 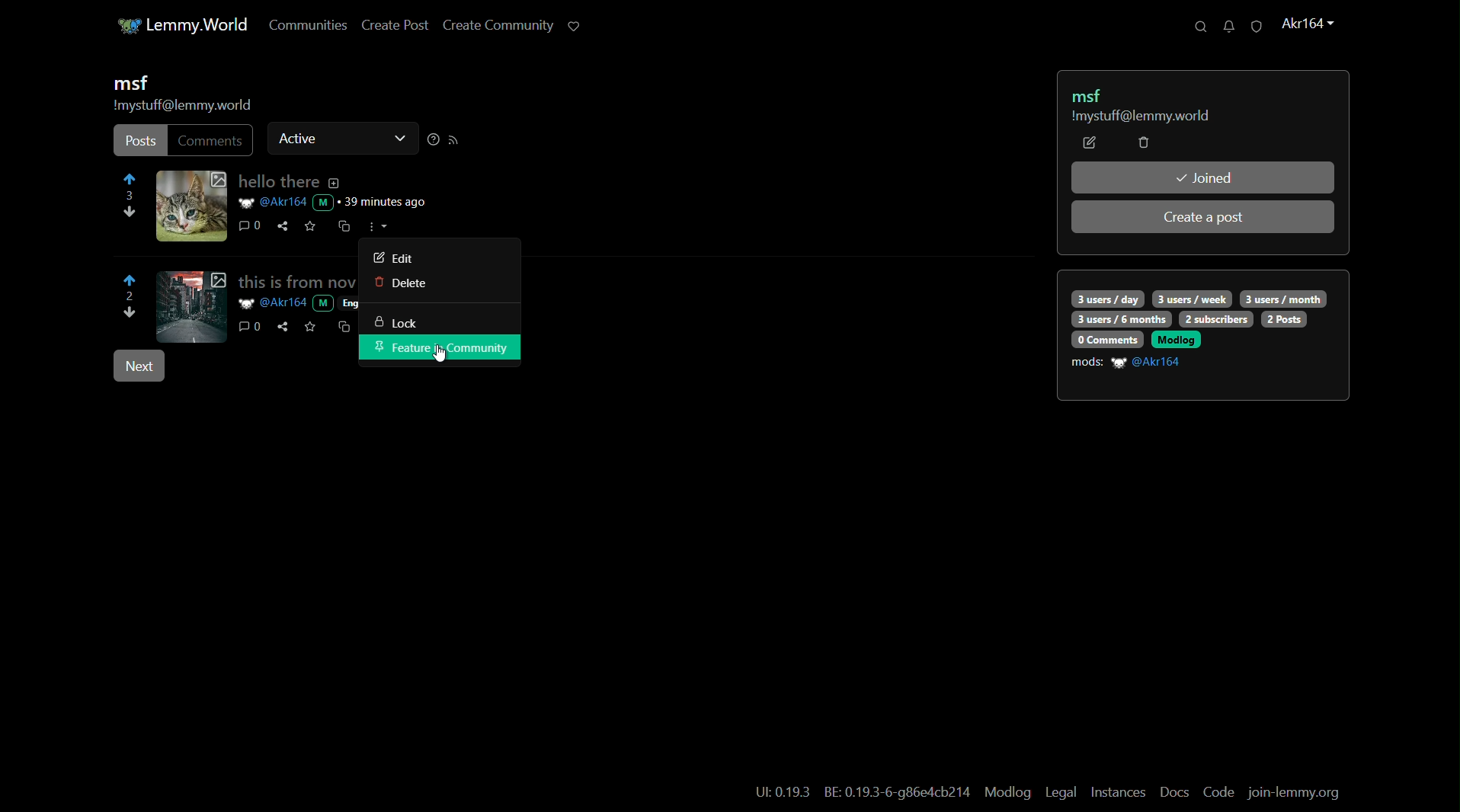 What do you see at coordinates (440, 349) in the screenshot?
I see `feature in community` at bounding box center [440, 349].